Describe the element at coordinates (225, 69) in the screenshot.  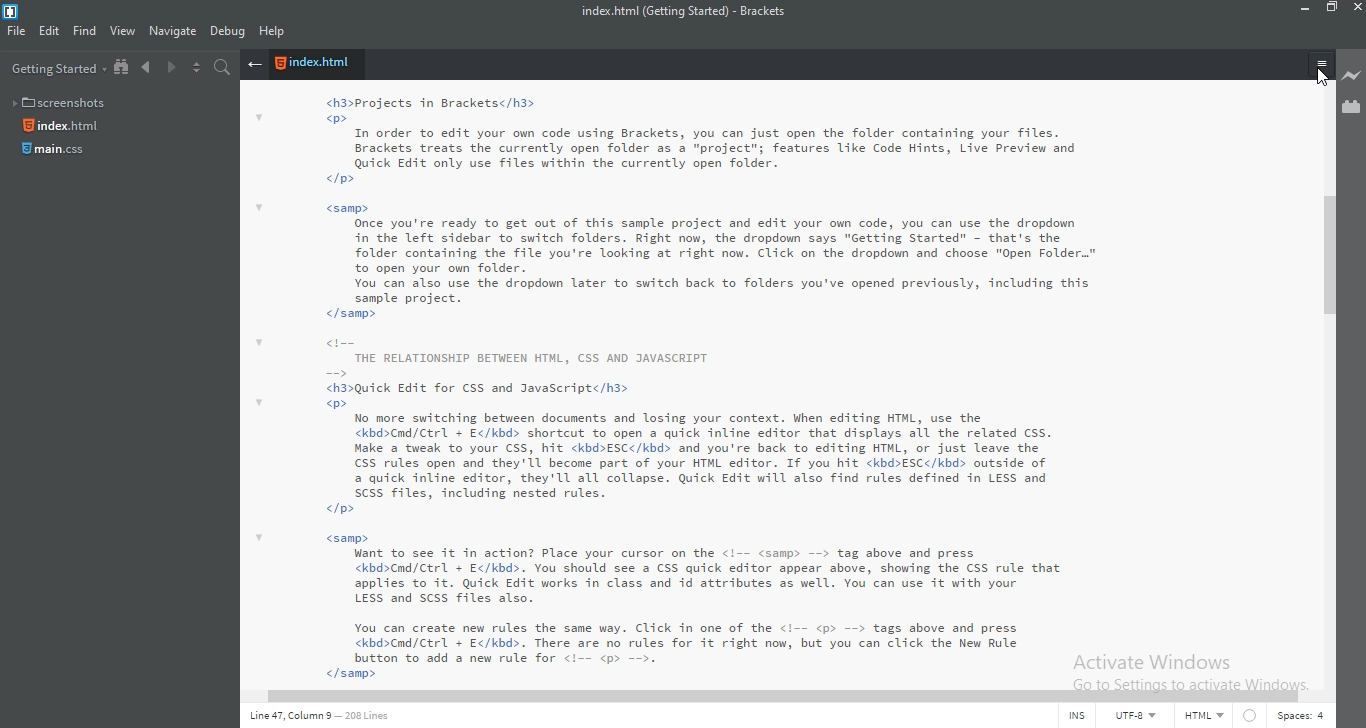
I see `Find in files` at that location.